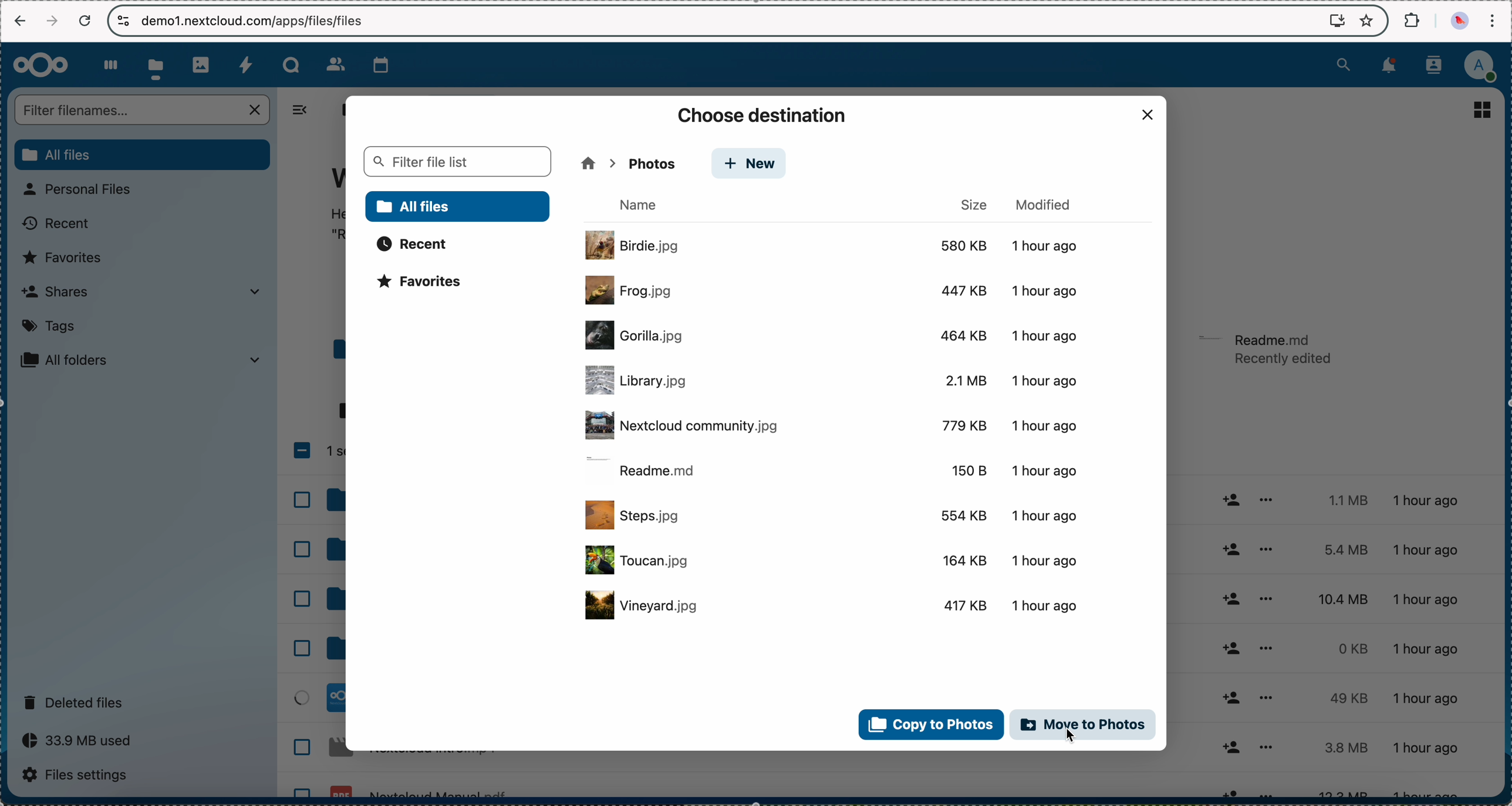 This screenshot has width=1512, height=806. What do you see at coordinates (1266, 645) in the screenshot?
I see `more options` at bounding box center [1266, 645].